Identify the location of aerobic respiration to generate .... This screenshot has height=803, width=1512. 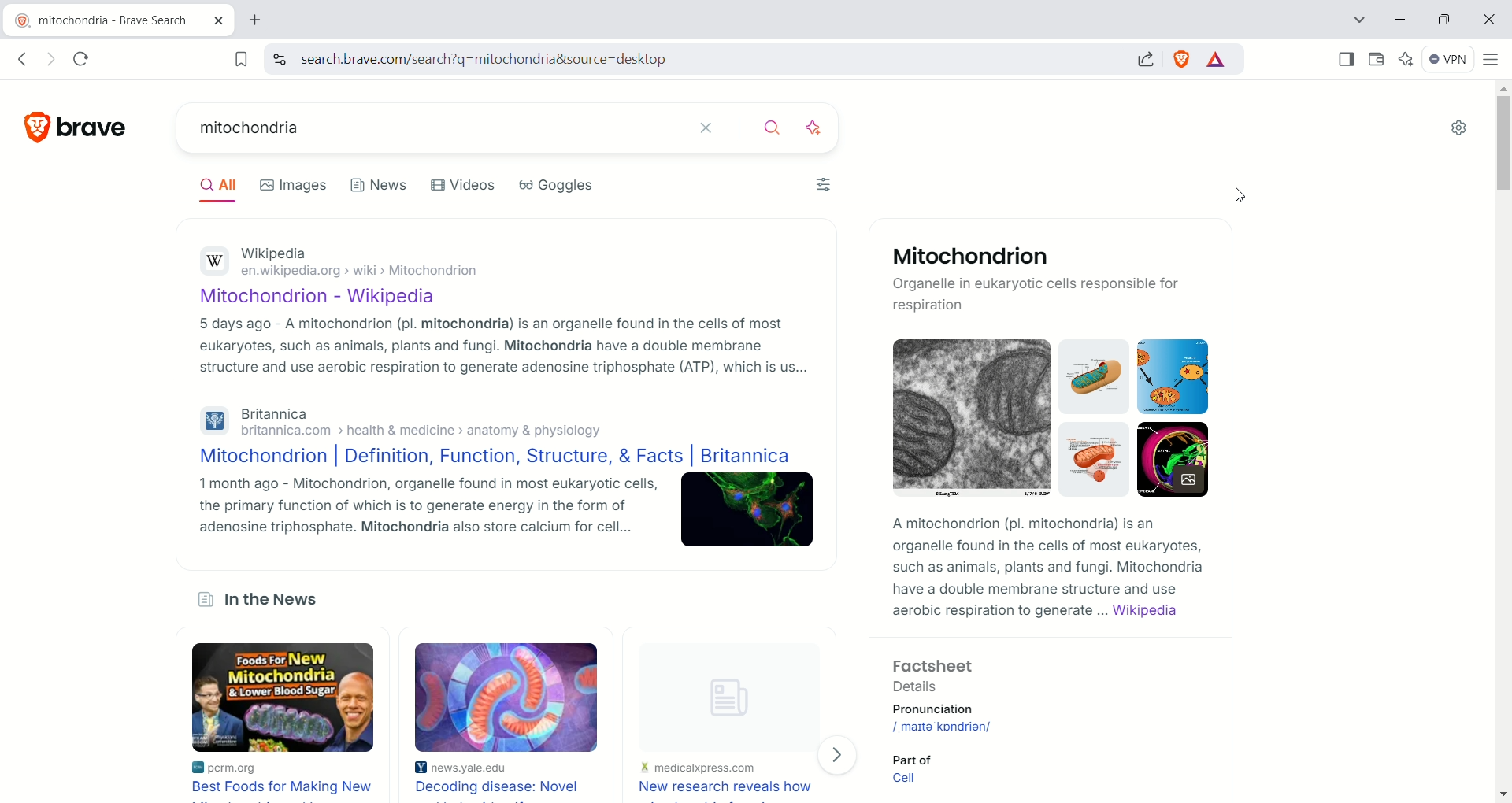
(1001, 612).